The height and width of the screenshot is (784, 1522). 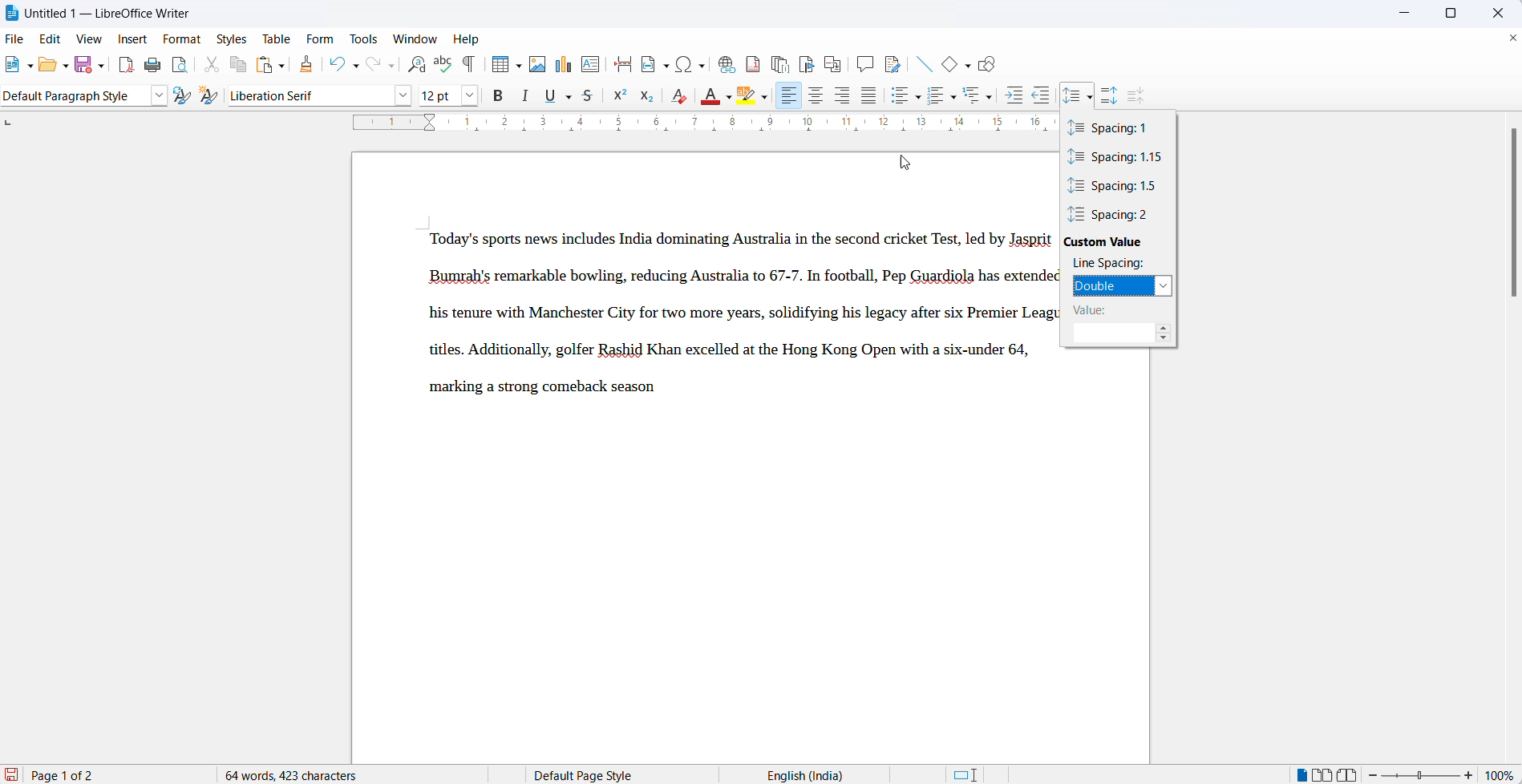 What do you see at coordinates (1456, 14) in the screenshot?
I see `maximize` at bounding box center [1456, 14].